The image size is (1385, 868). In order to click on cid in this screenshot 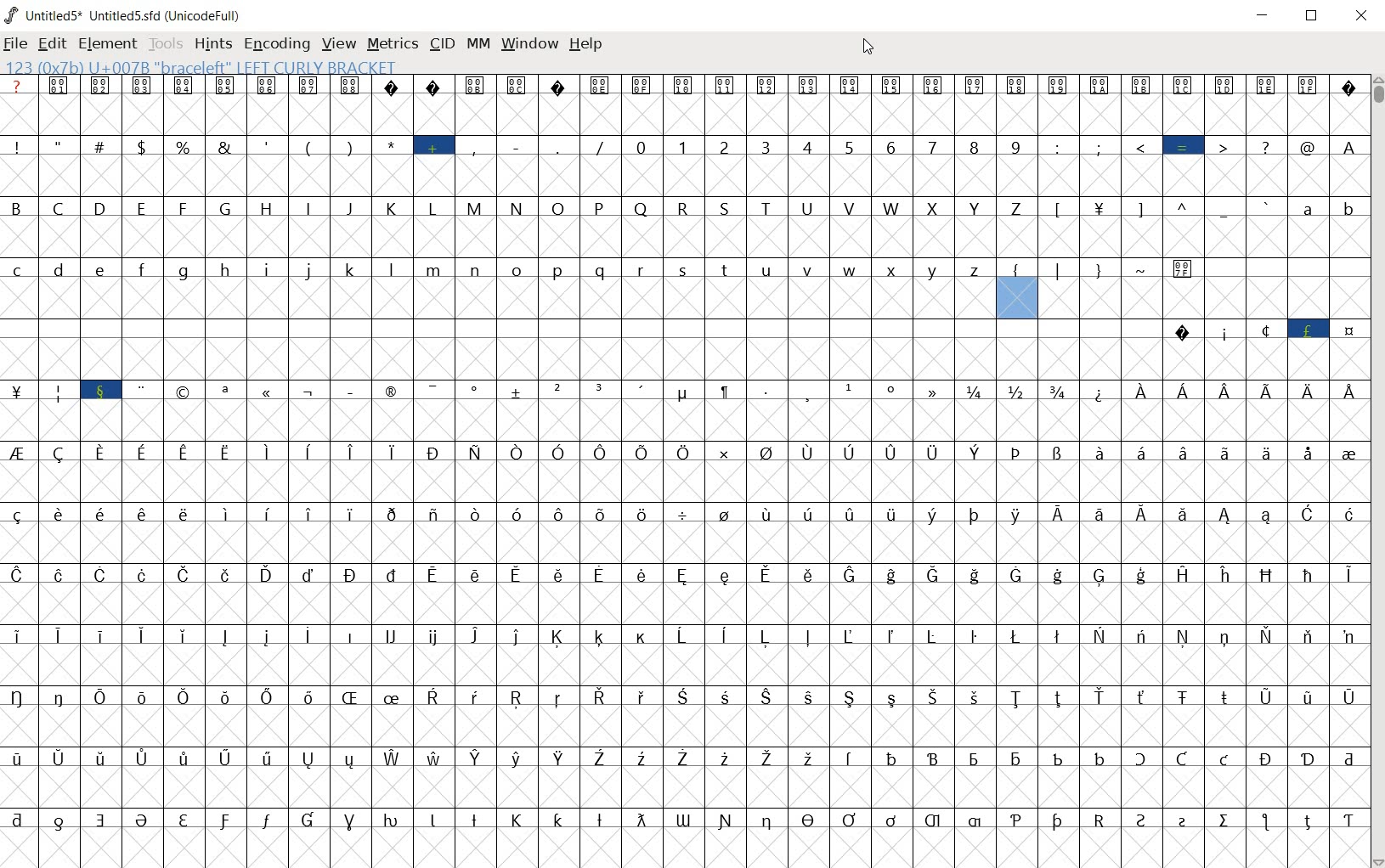, I will do `click(441, 43)`.